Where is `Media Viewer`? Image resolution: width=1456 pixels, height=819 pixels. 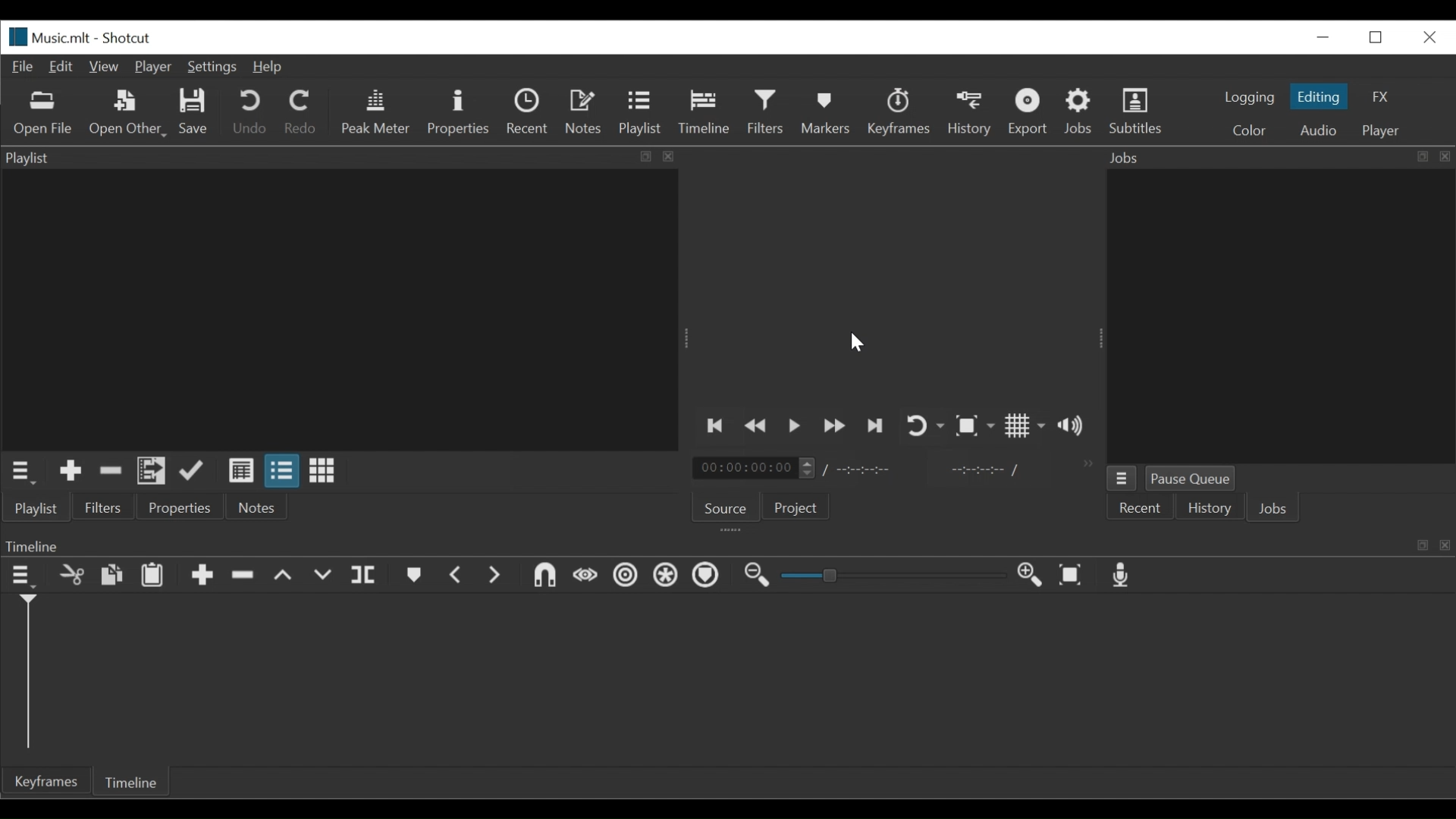
Media Viewer is located at coordinates (890, 280).